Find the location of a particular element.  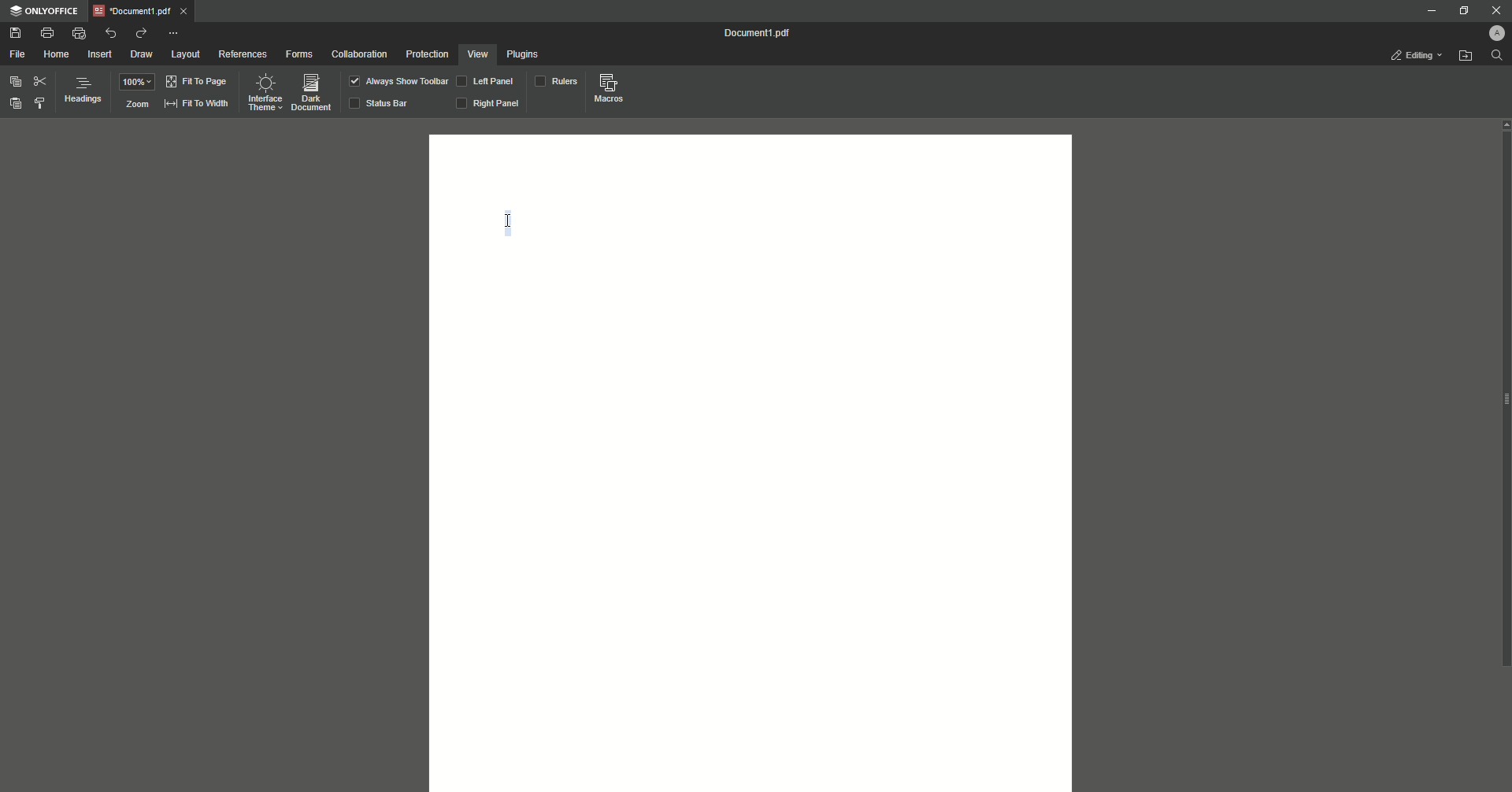

Dark Document is located at coordinates (310, 91).